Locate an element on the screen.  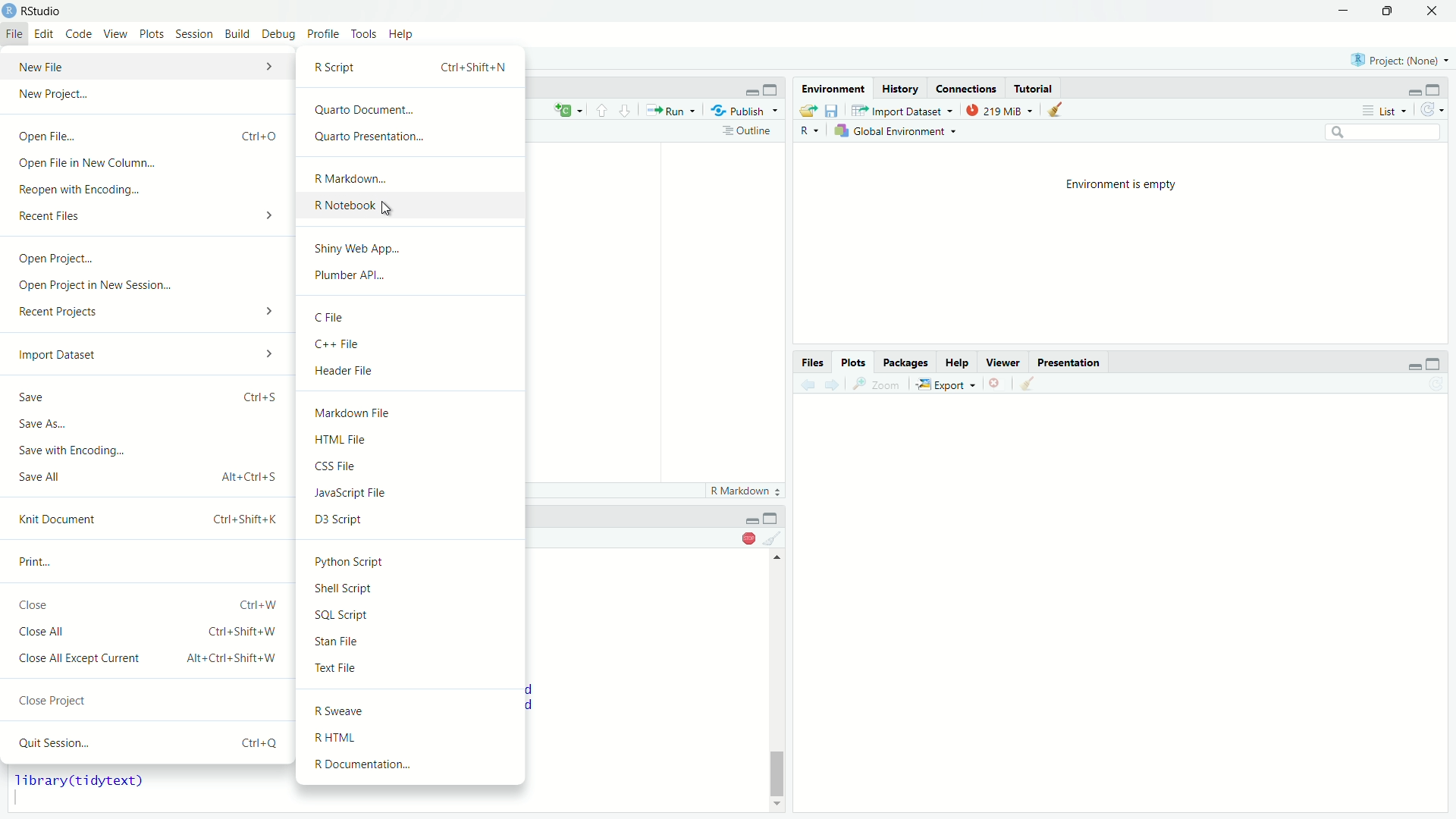
R Notebook is located at coordinates (412, 204).